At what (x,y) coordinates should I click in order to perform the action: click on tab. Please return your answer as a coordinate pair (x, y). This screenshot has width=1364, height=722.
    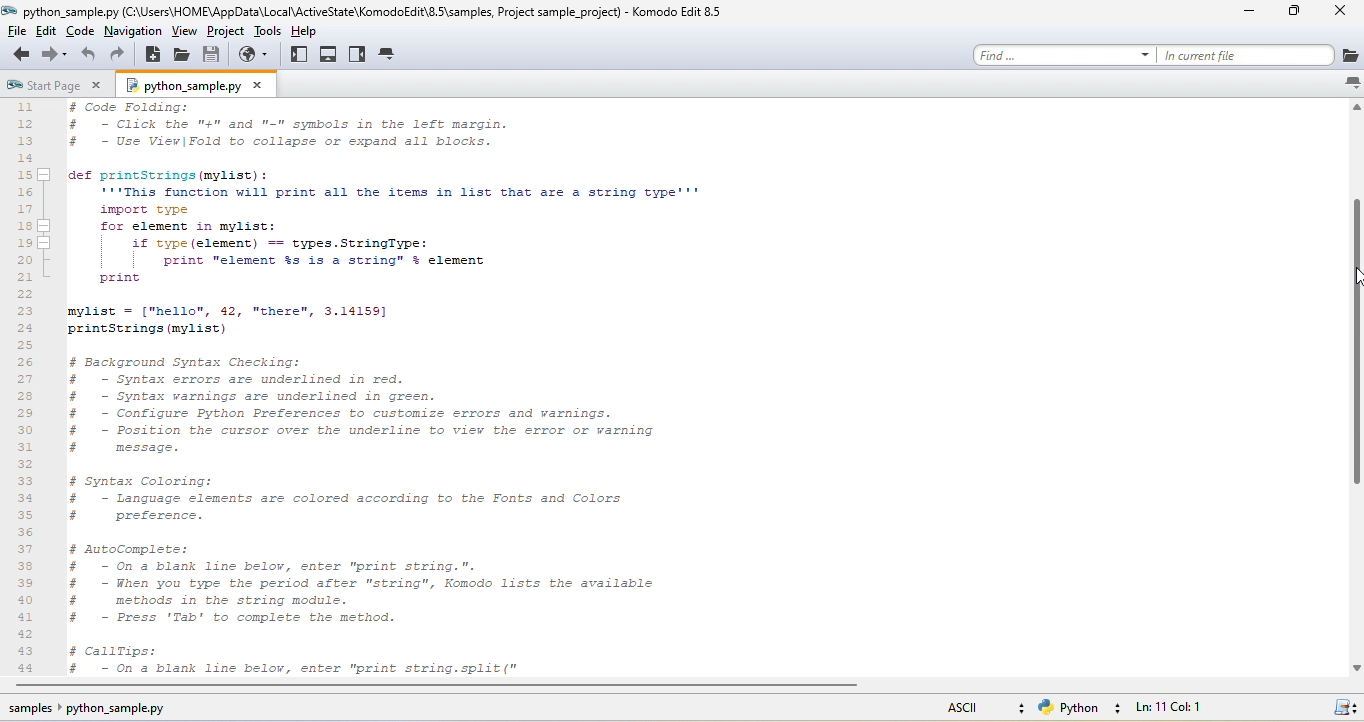
    Looking at the image, I should click on (390, 56).